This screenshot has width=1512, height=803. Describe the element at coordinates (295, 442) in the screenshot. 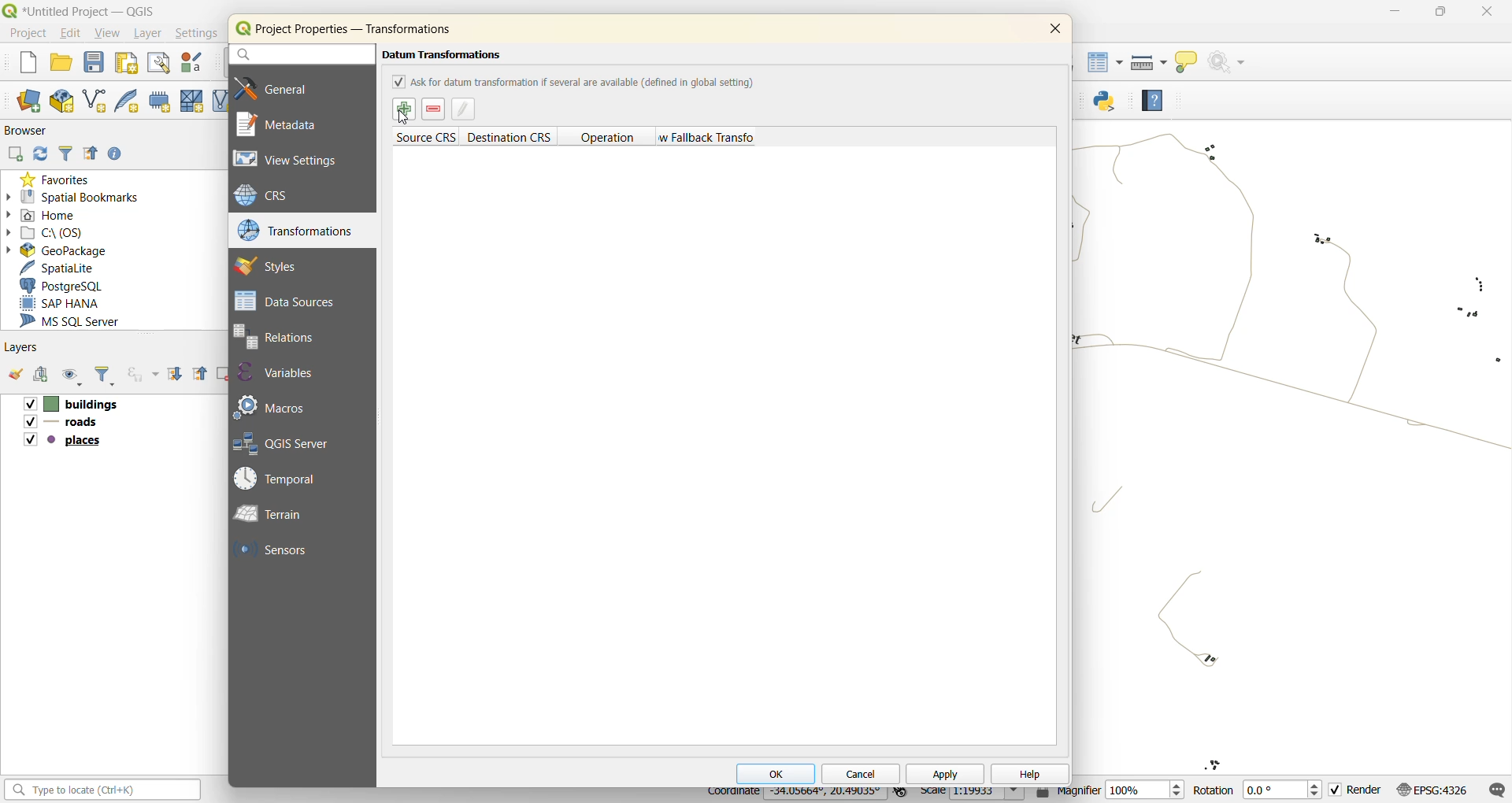

I see `qgis server` at that location.